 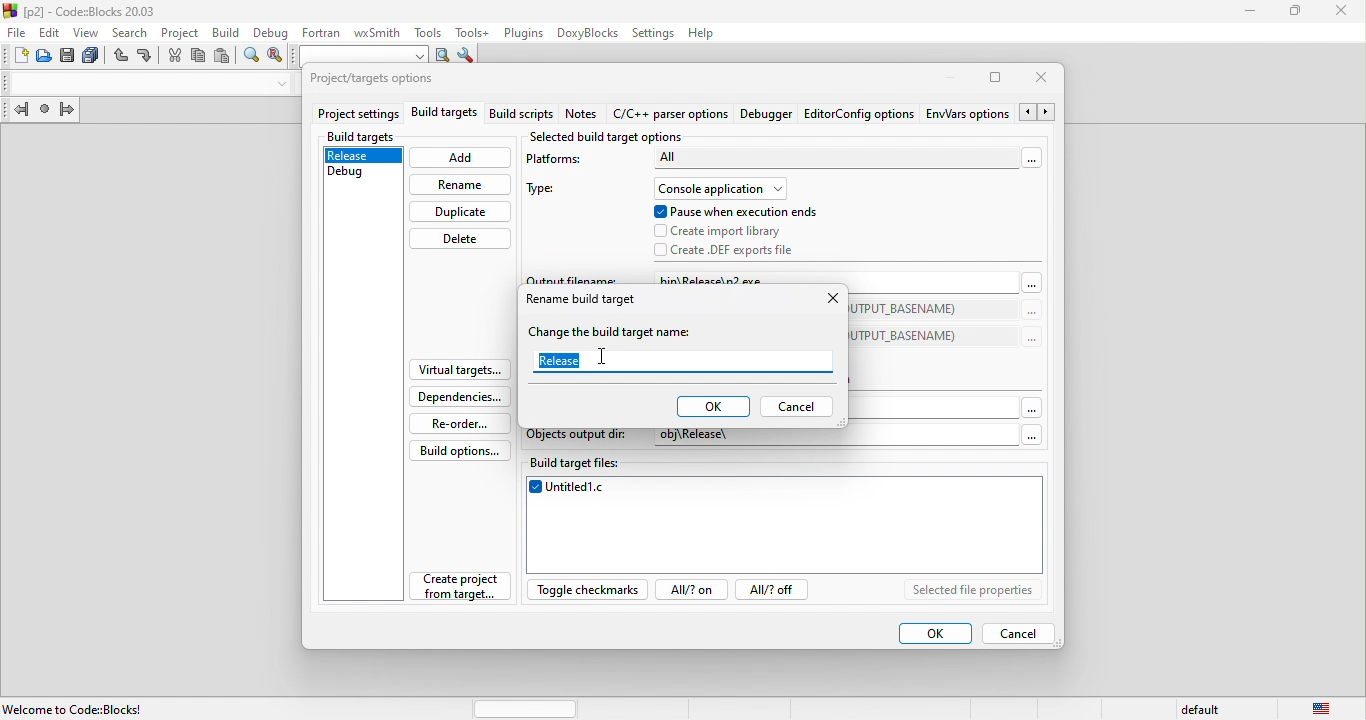 What do you see at coordinates (1323, 709) in the screenshot?
I see `united state` at bounding box center [1323, 709].